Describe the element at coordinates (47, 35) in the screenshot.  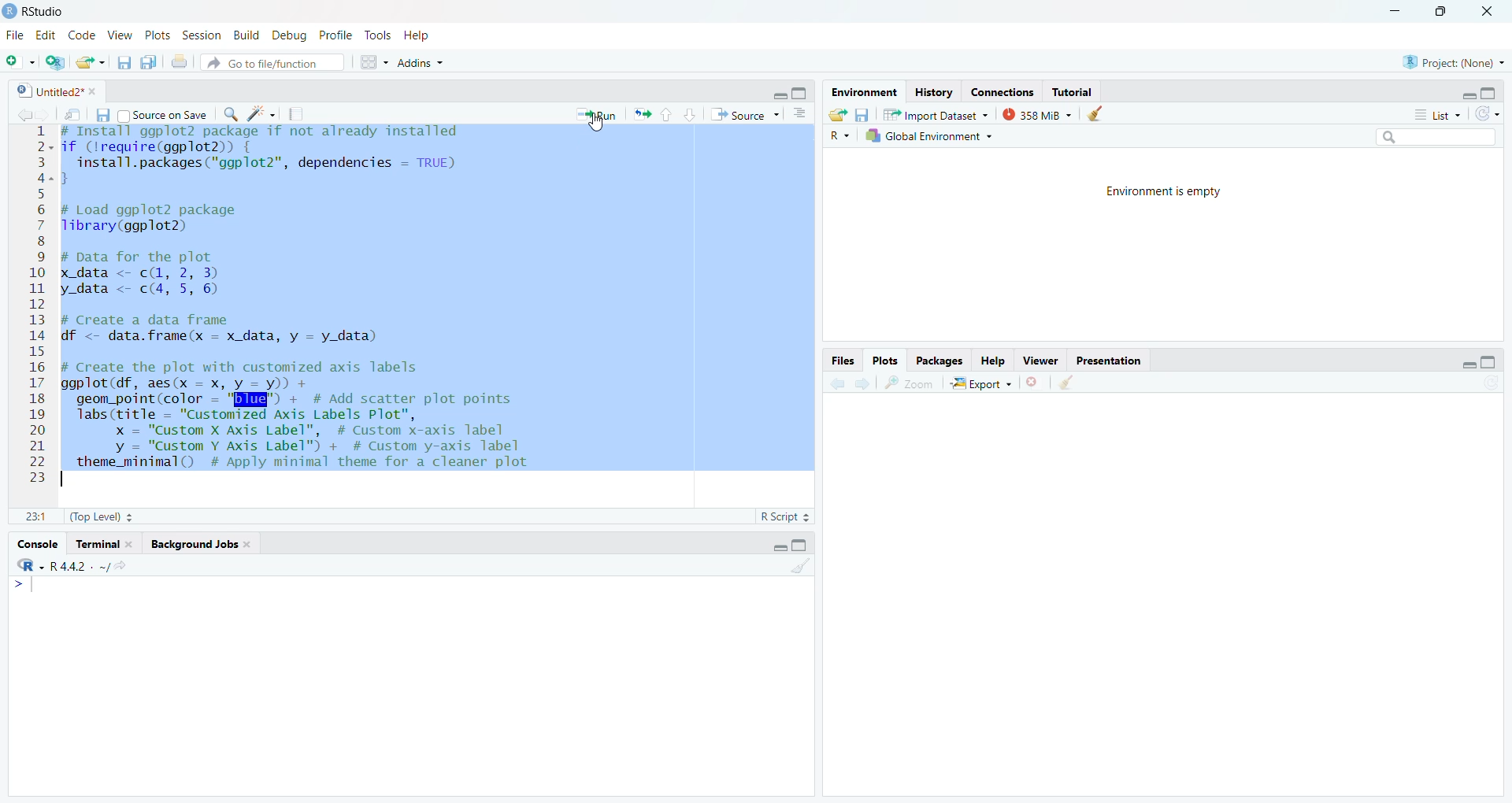
I see `Edit` at that location.